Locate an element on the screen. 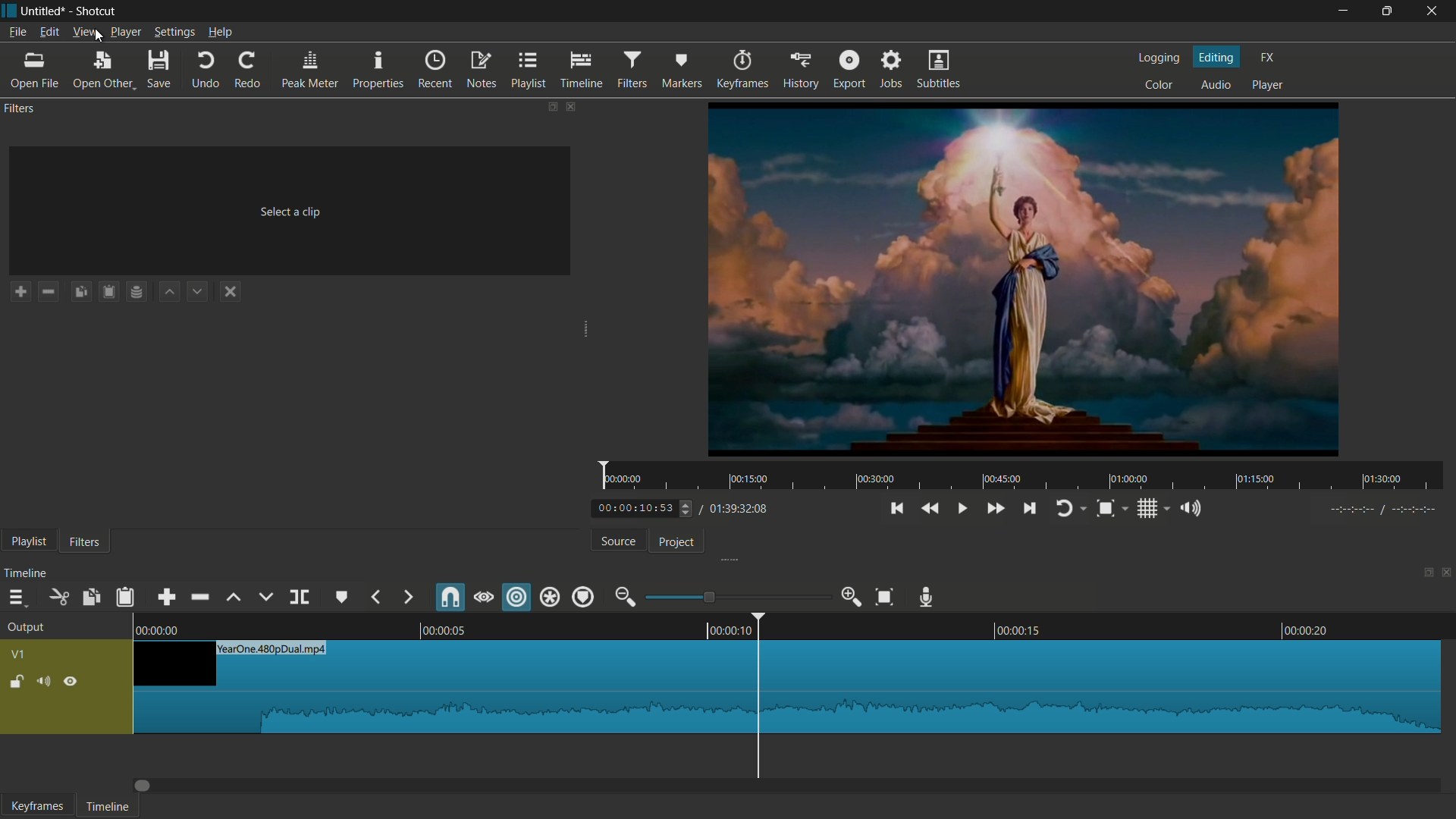  filters is located at coordinates (634, 69).